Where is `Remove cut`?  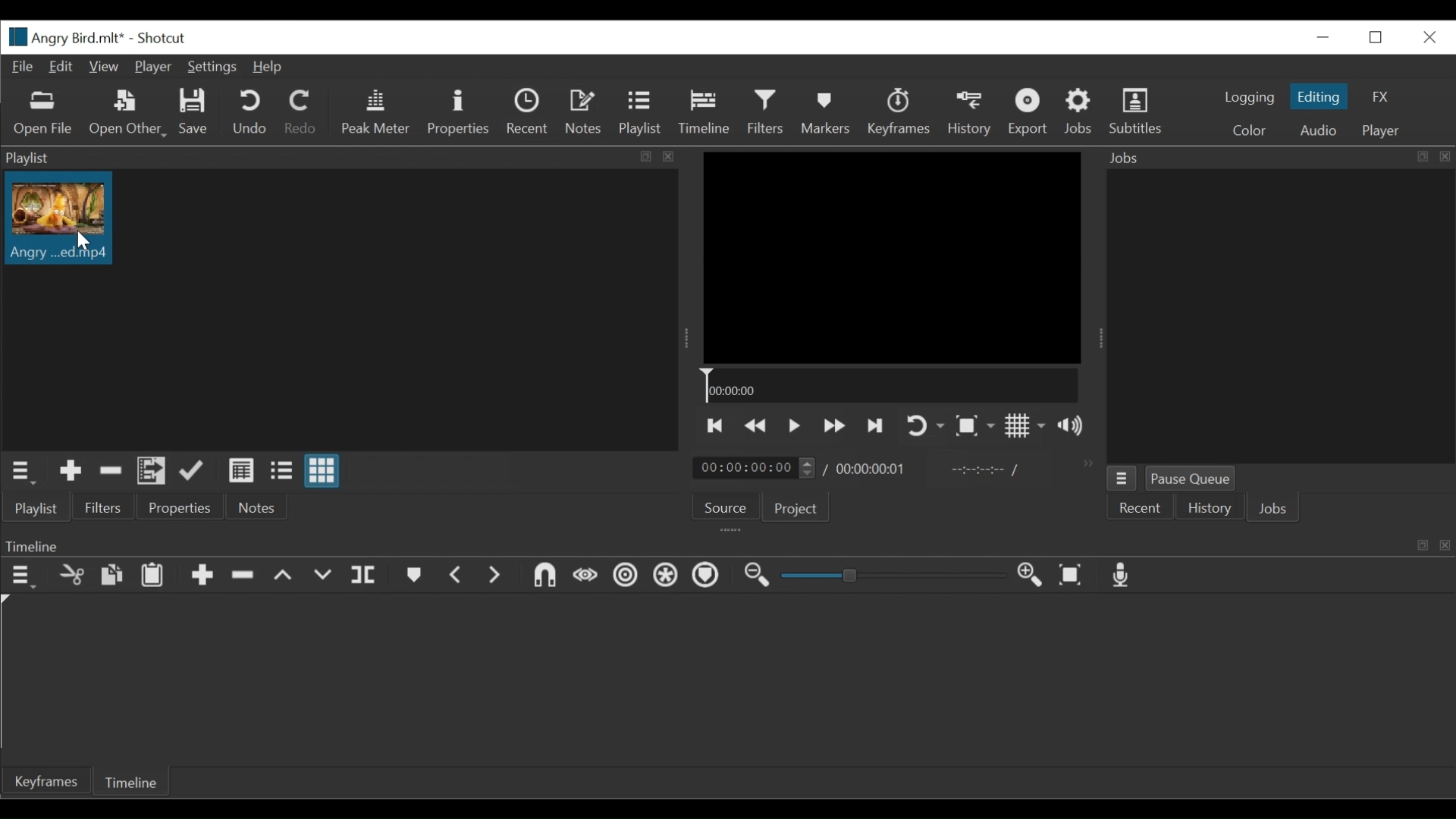 Remove cut is located at coordinates (111, 472).